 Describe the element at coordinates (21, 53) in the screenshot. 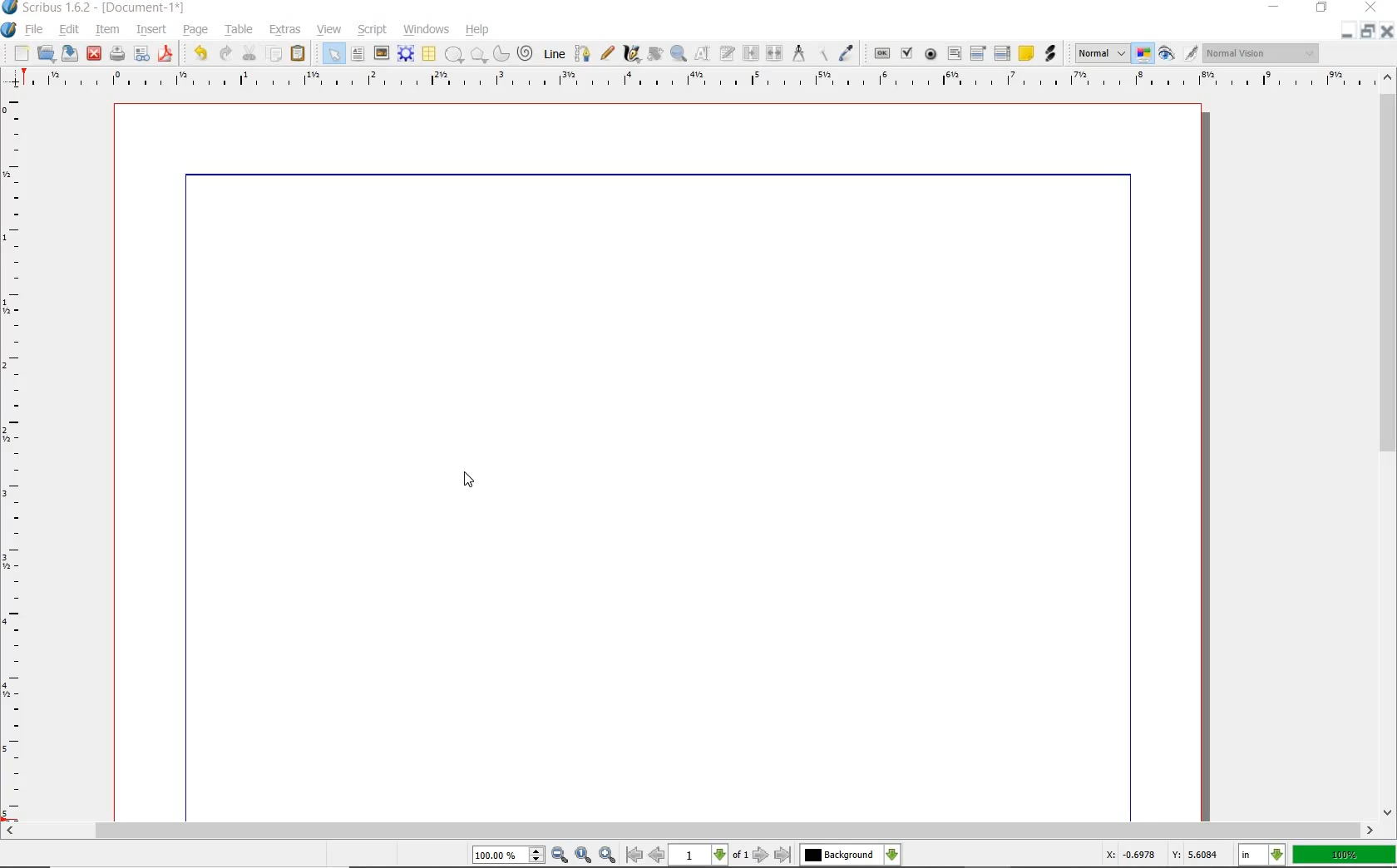

I see `NEW` at that location.